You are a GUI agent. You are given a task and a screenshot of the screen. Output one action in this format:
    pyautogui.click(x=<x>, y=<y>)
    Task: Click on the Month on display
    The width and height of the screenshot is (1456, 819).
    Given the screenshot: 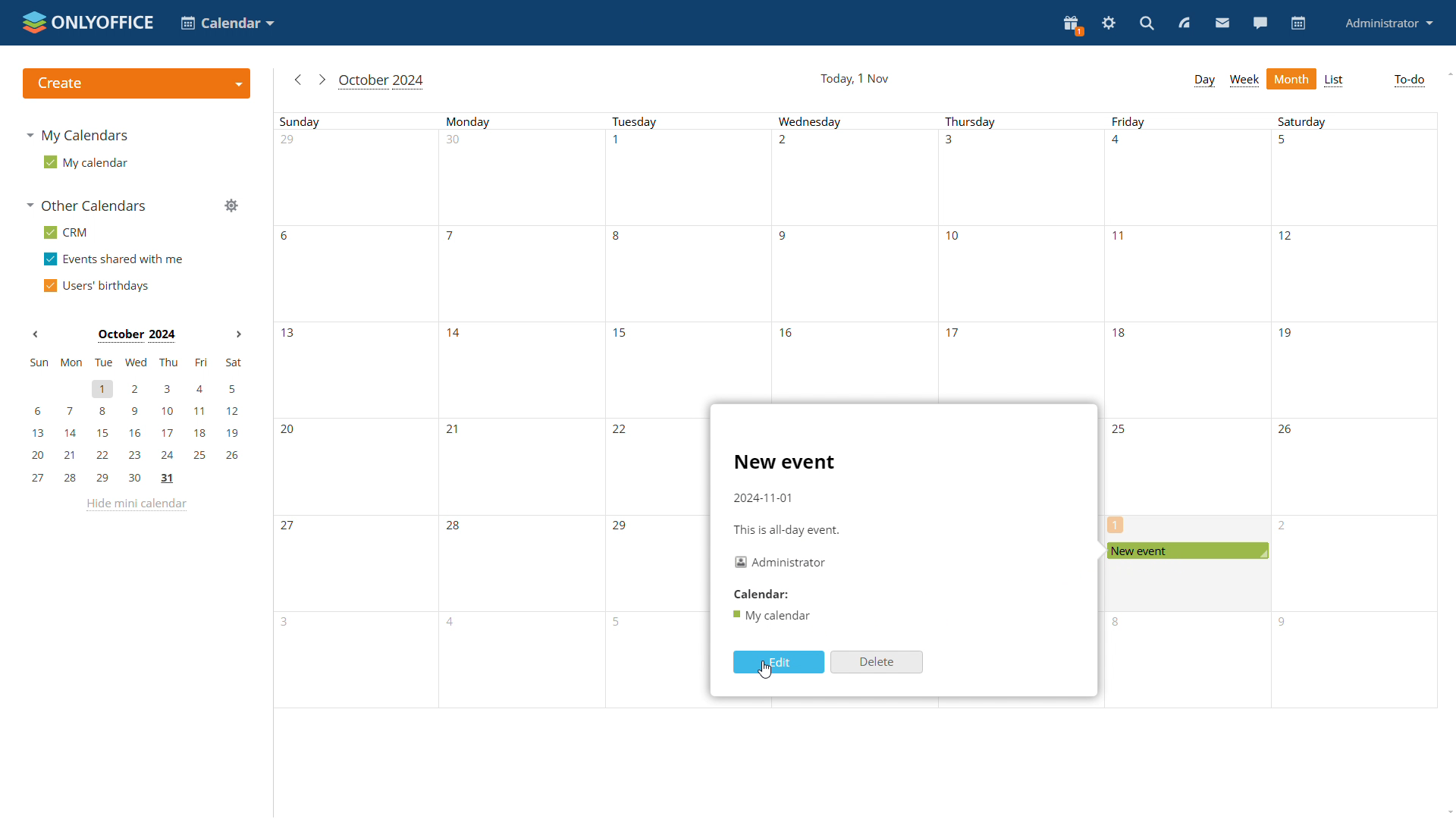 What is the action you would take?
    pyautogui.click(x=135, y=335)
    